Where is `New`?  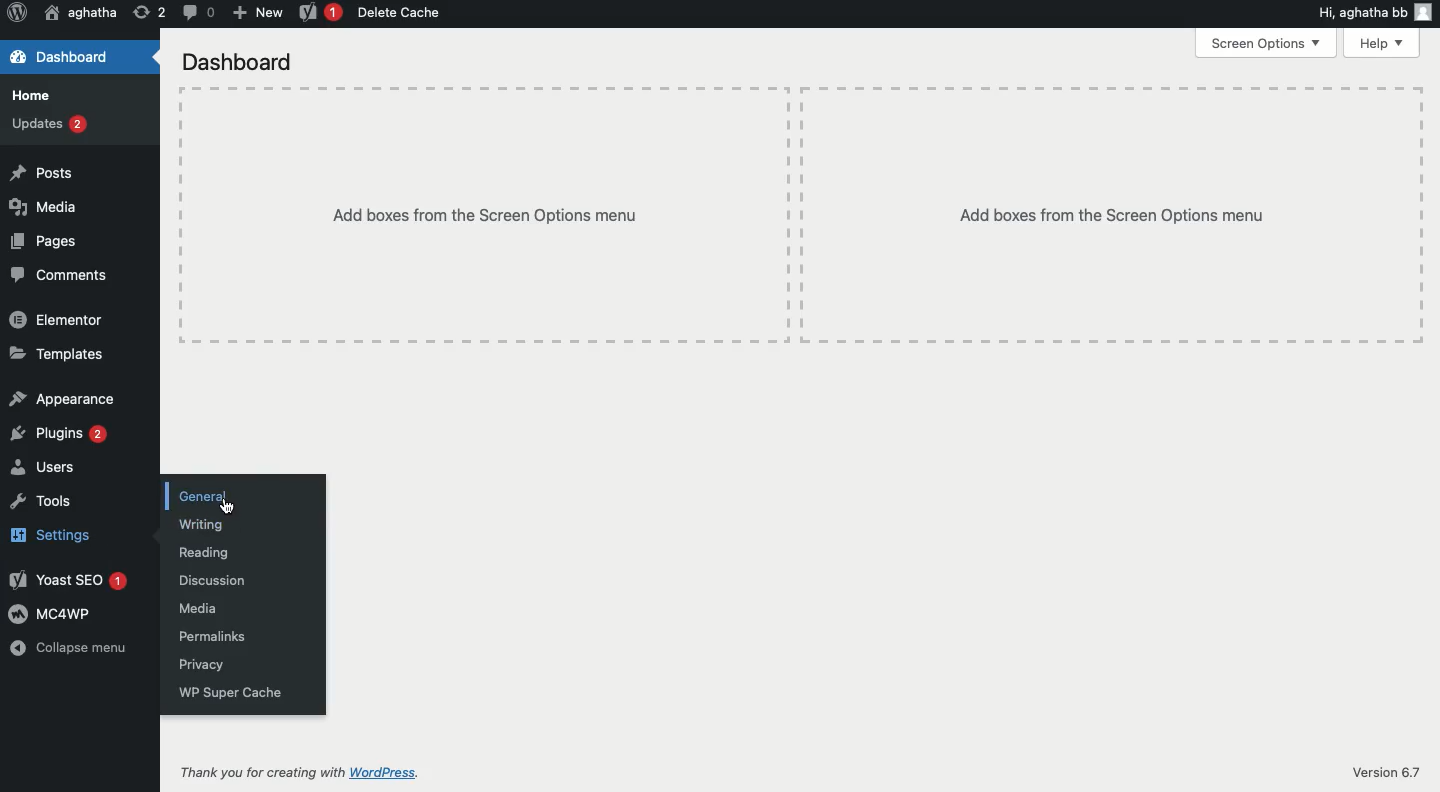
New is located at coordinates (255, 13).